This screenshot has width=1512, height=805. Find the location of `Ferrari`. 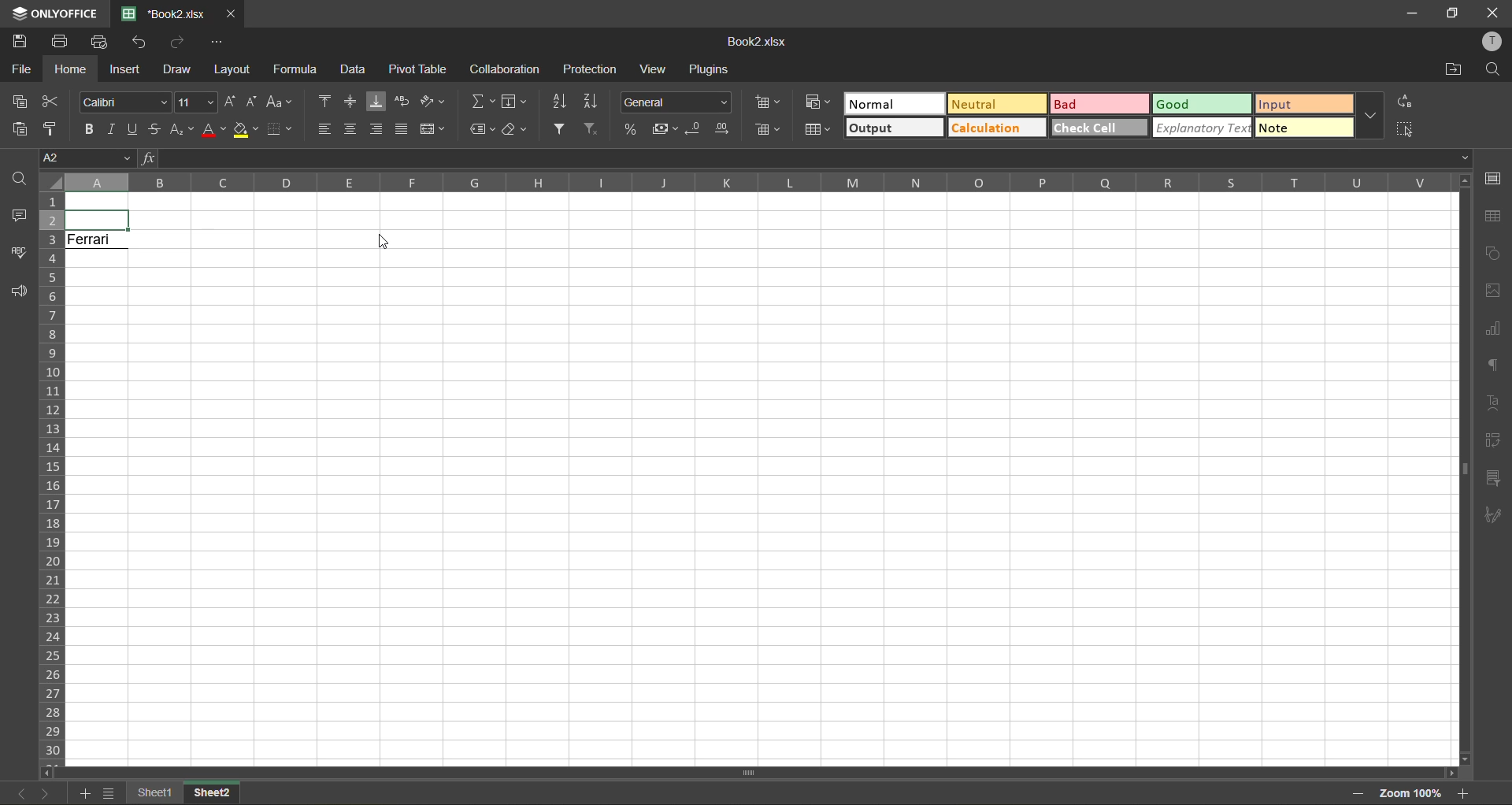

Ferrari is located at coordinates (102, 246).